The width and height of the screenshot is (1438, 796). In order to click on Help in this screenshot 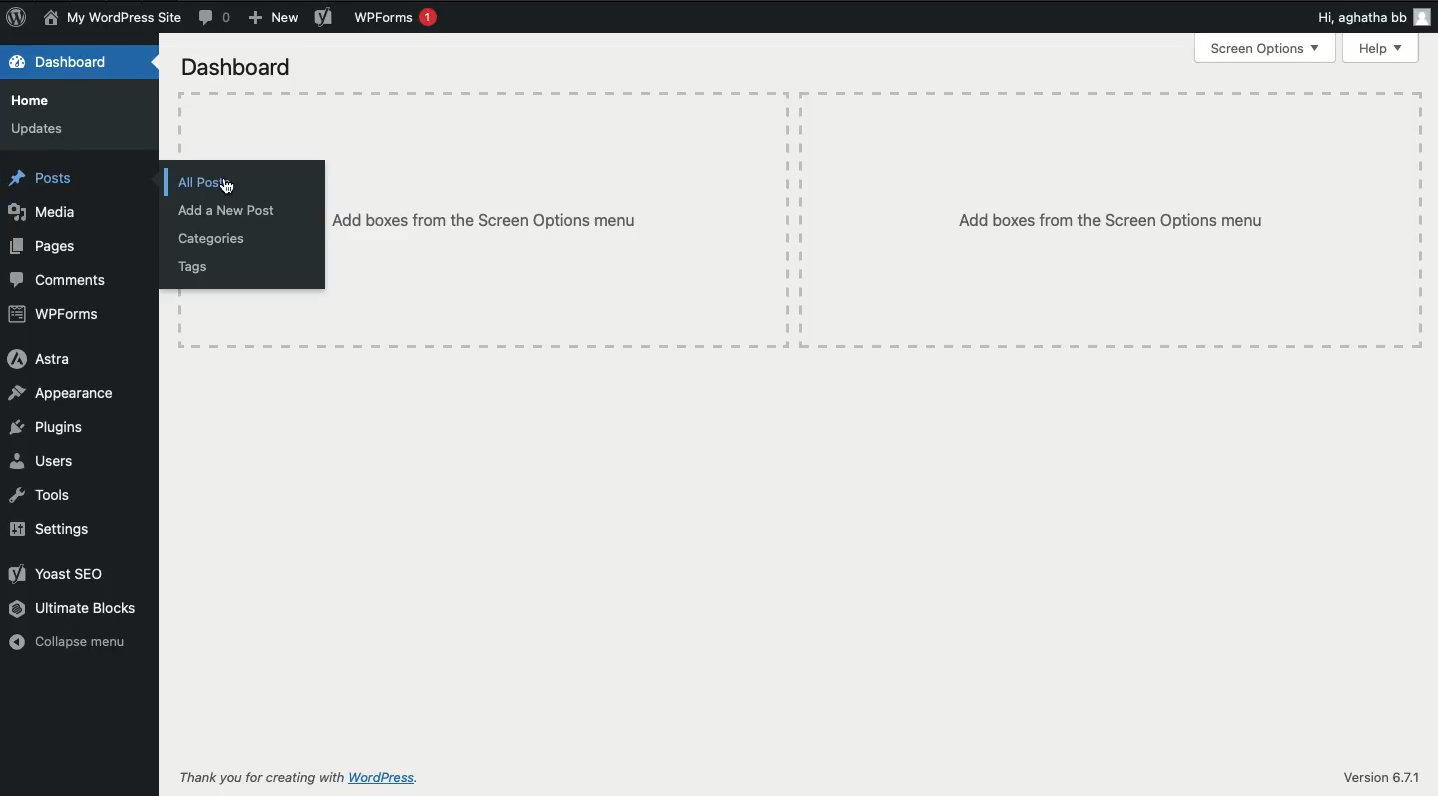, I will do `click(1378, 49)`.